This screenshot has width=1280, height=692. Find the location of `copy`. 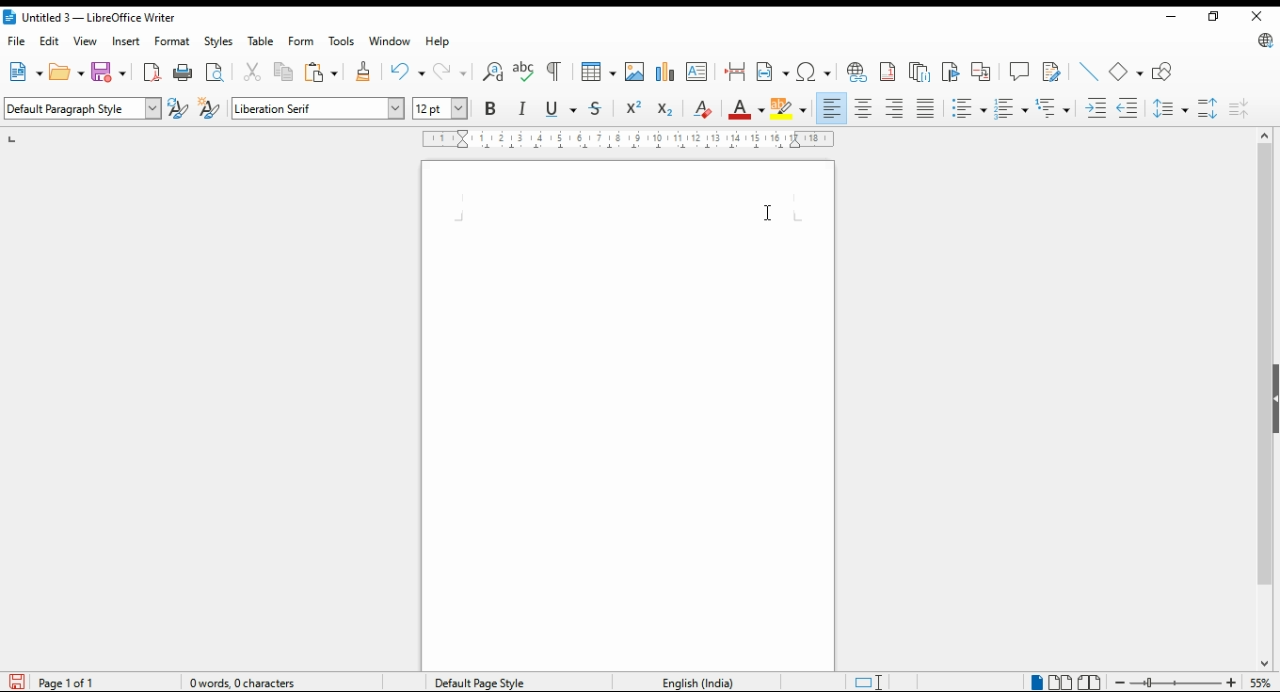

copy is located at coordinates (285, 73).